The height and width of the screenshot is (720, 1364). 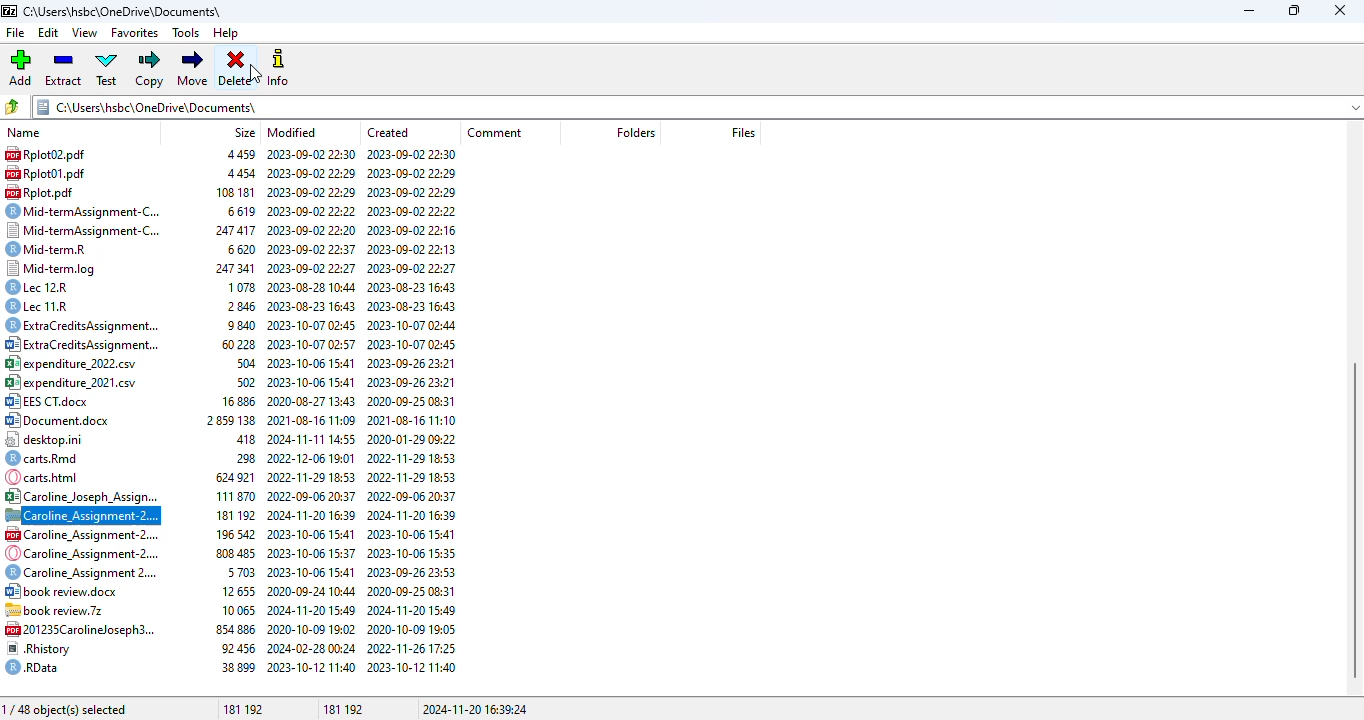 What do you see at coordinates (312, 266) in the screenshot?
I see `2023-09-02 22-27` at bounding box center [312, 266].